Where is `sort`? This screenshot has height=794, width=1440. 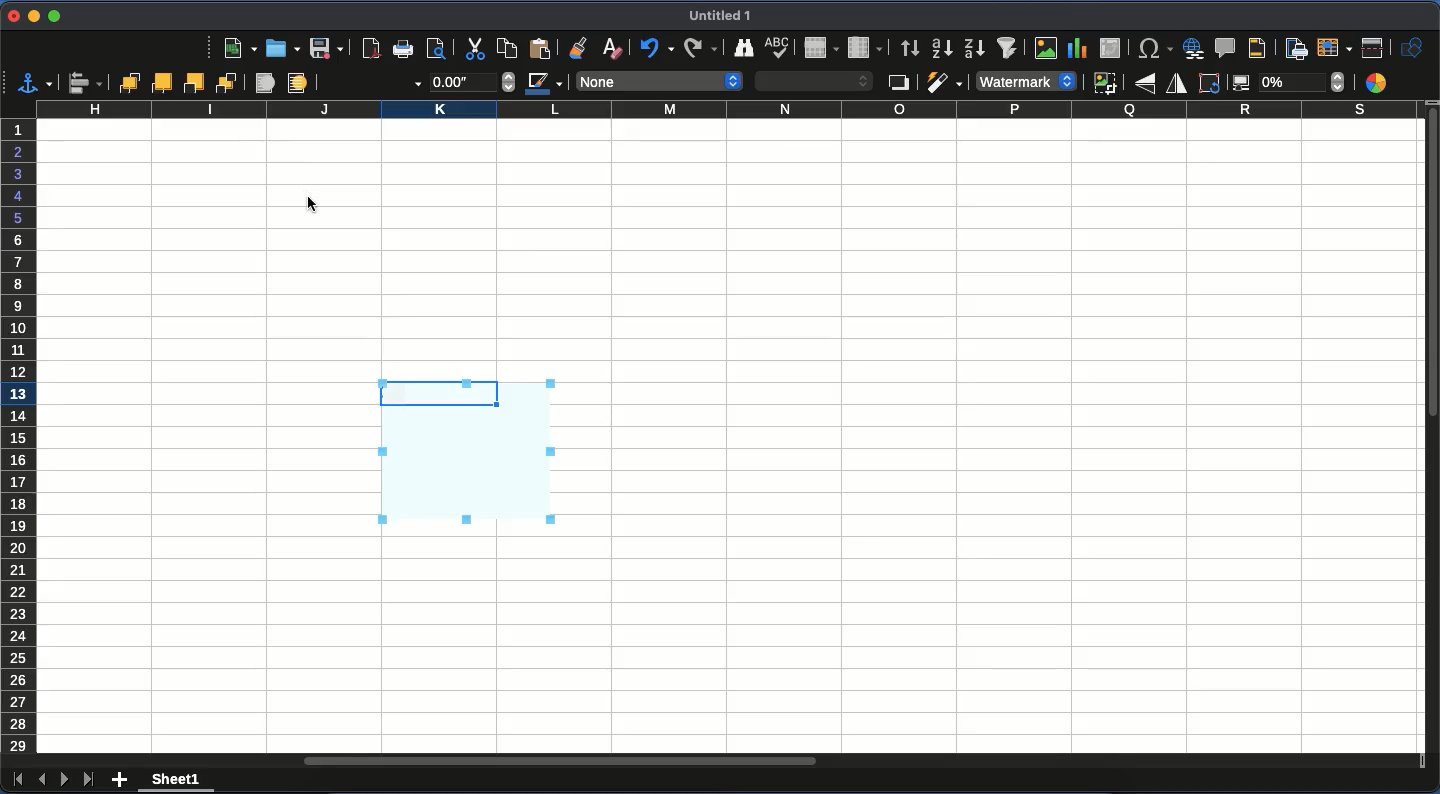 sort is located at coordinates (909, 47).